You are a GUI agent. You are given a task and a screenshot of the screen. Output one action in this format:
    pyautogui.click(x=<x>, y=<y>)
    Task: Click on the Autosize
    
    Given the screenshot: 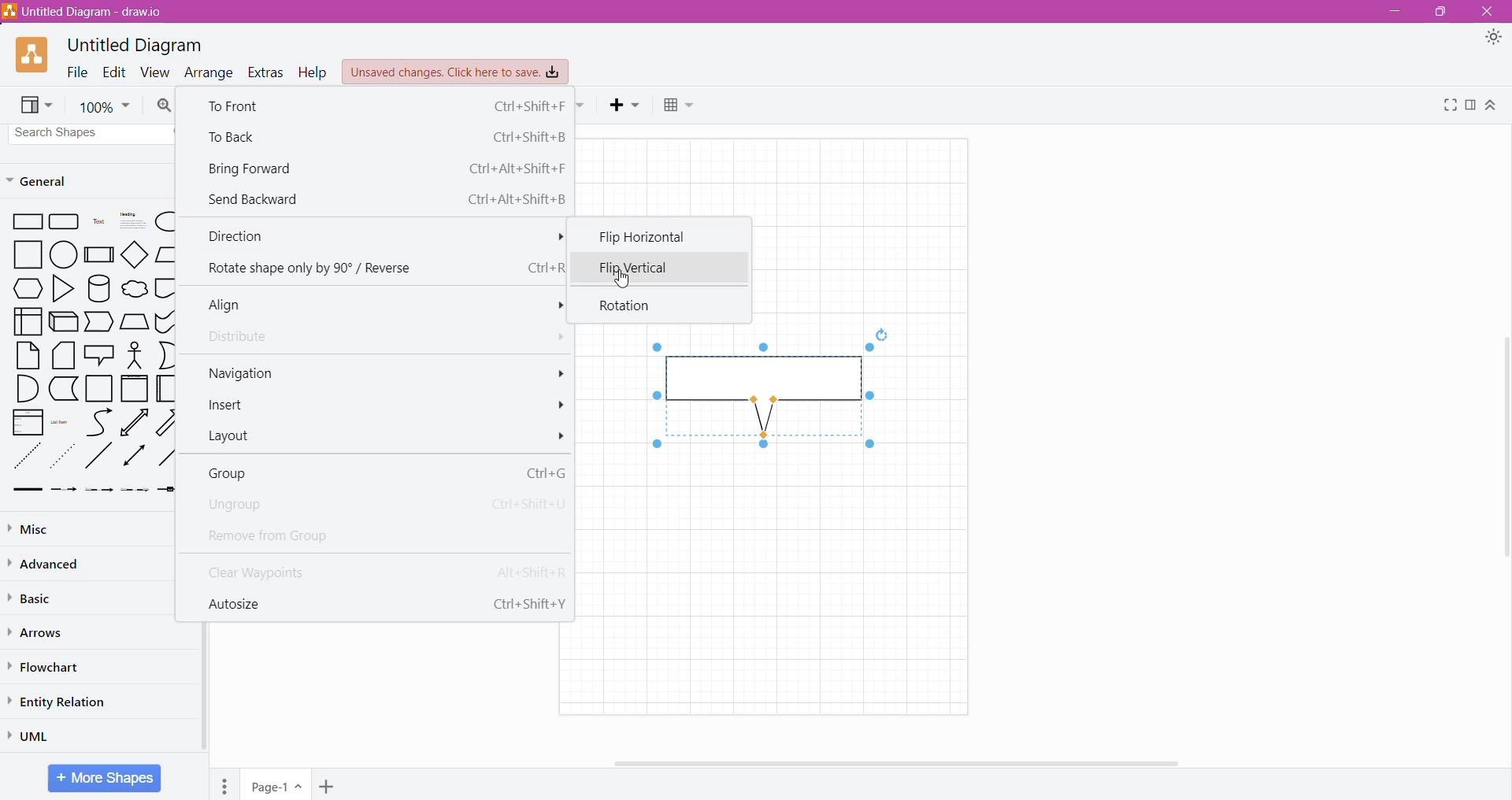 What is the action you would take?
    pyautogui.click(x=383, y=602)
    